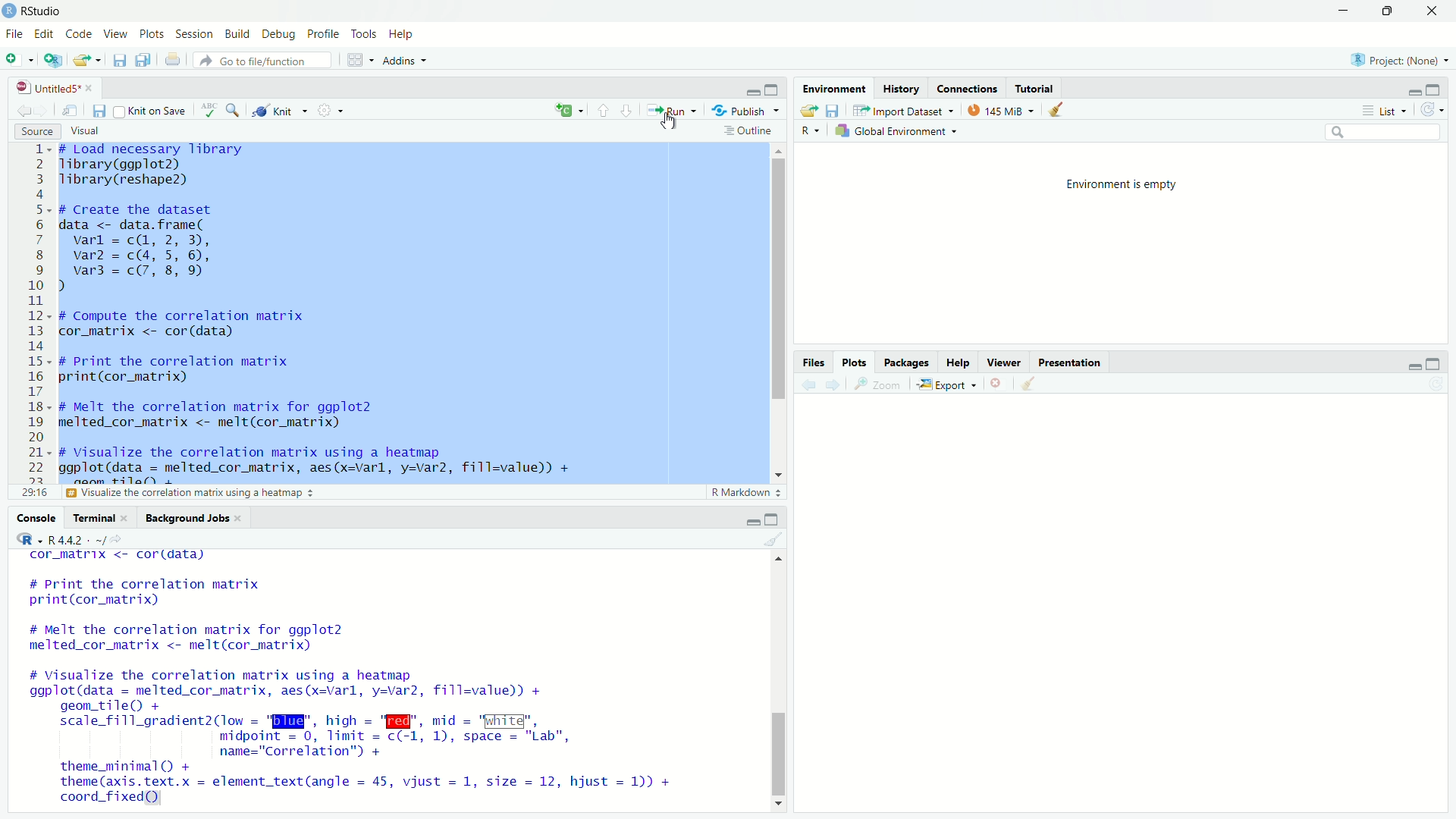 Image resolution: width=1456 pixels, height=819 pixels. What do you see at coordinates (959, 362) in the screenshot?
I see `help` at bounding box center [959, 362].